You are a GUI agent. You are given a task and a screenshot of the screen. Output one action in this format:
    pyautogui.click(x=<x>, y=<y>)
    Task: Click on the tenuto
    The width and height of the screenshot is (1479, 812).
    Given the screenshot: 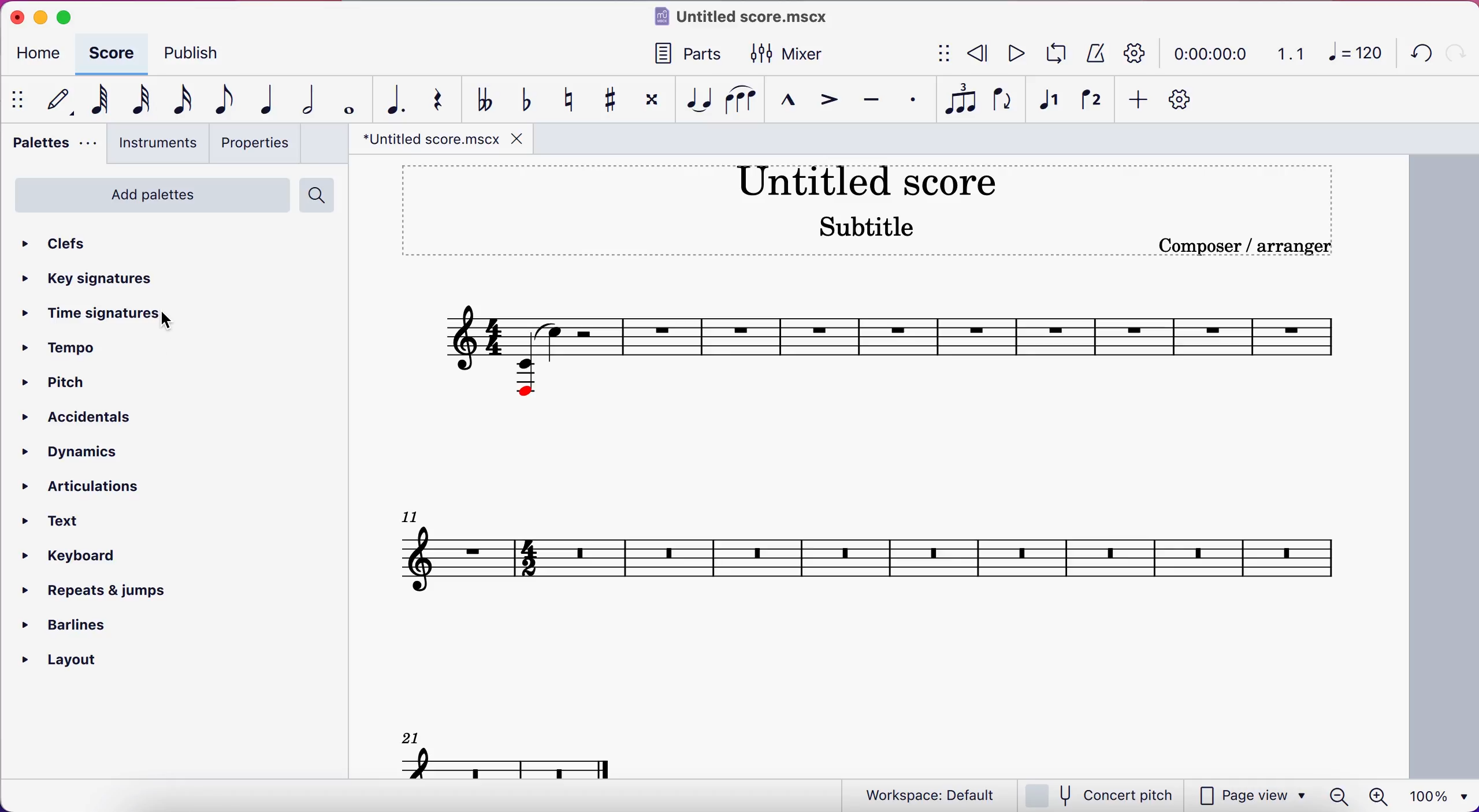 What is the action you would take?
    pyautogui.click(x=867, y=99)
    